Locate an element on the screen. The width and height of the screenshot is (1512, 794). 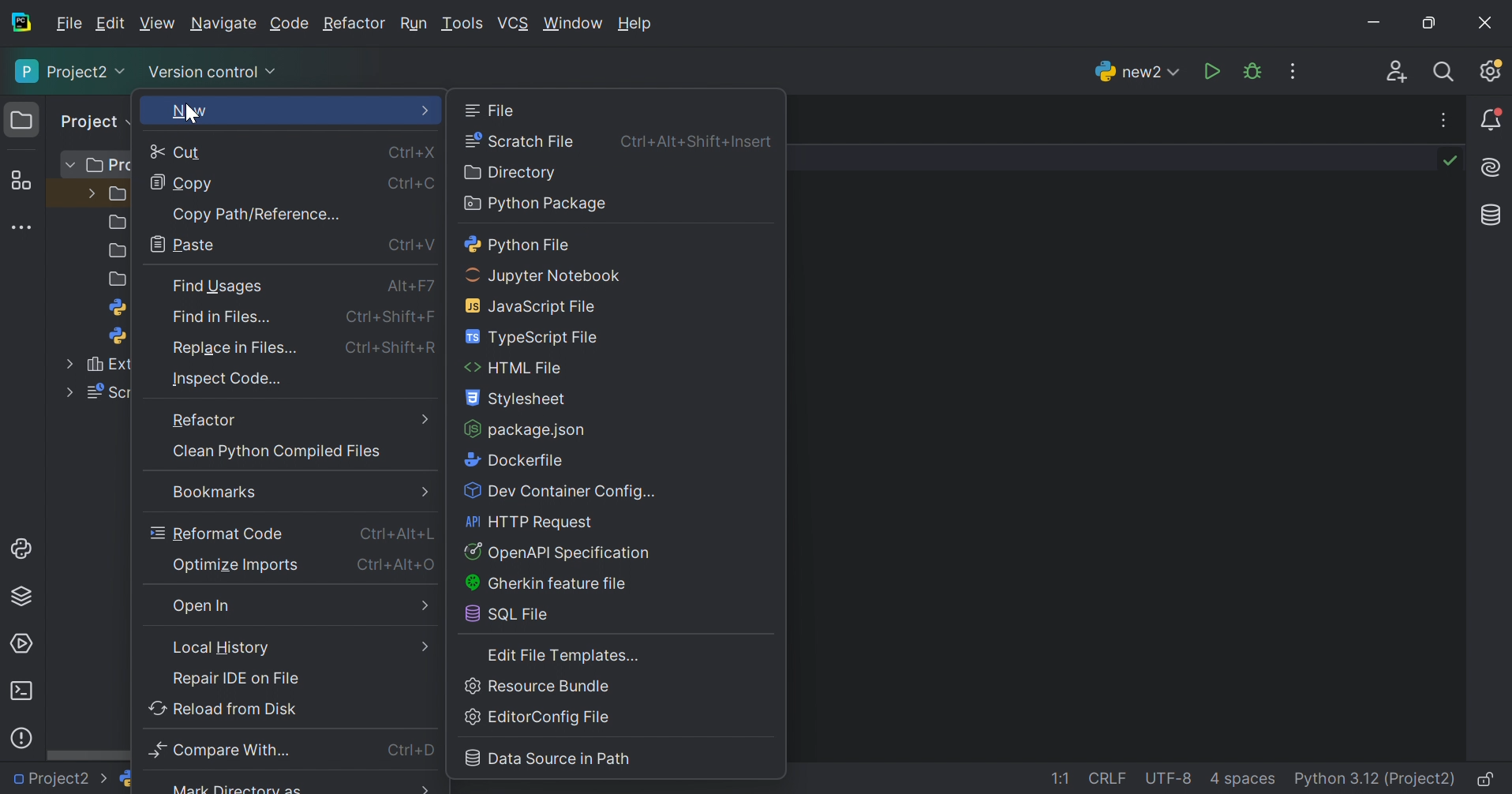
new2.py is located at coordinates (1133, 70).